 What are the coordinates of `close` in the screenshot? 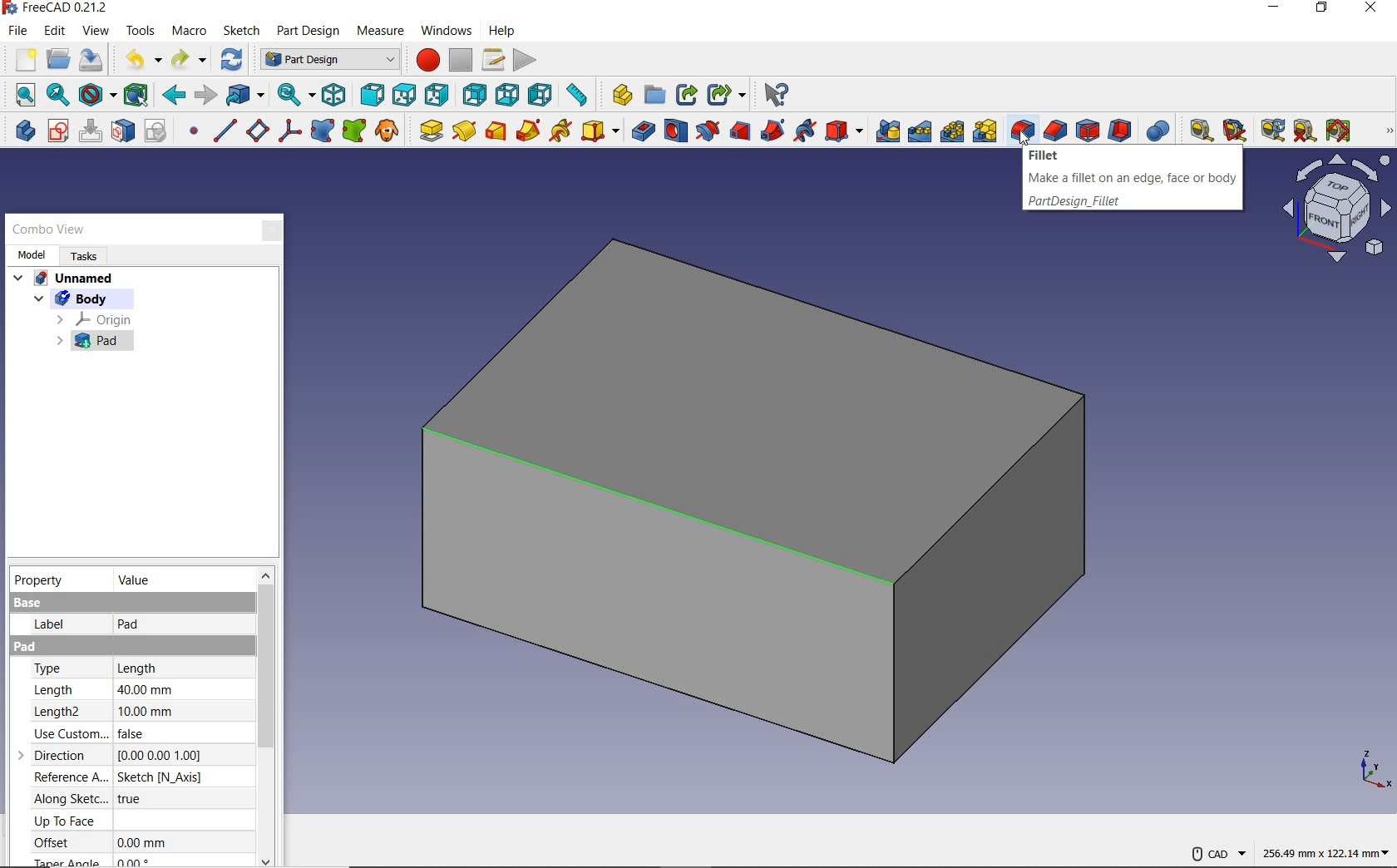 It's located at (271, 232).